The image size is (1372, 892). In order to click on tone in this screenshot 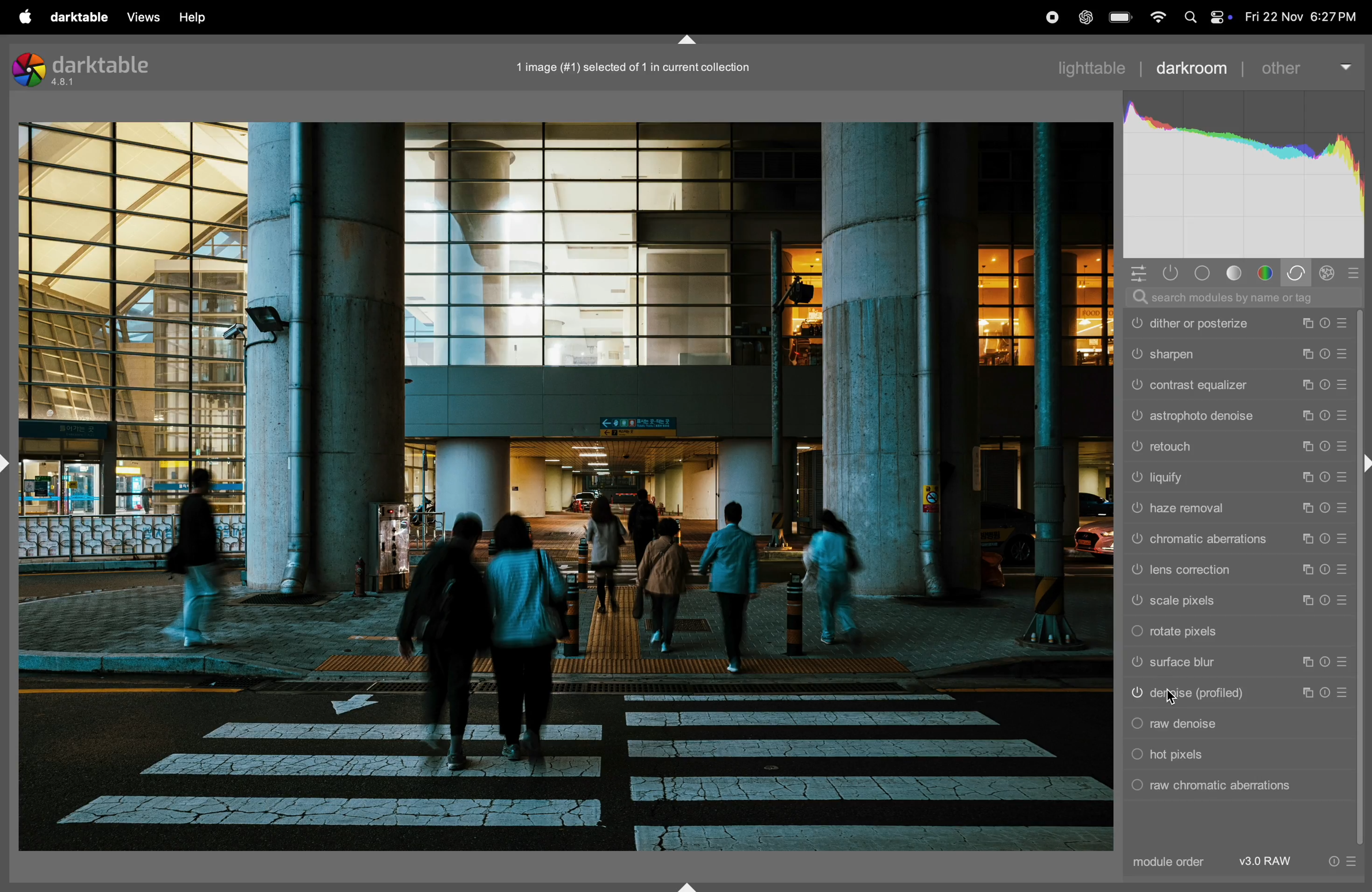, I will do `click(1204, 273)`.